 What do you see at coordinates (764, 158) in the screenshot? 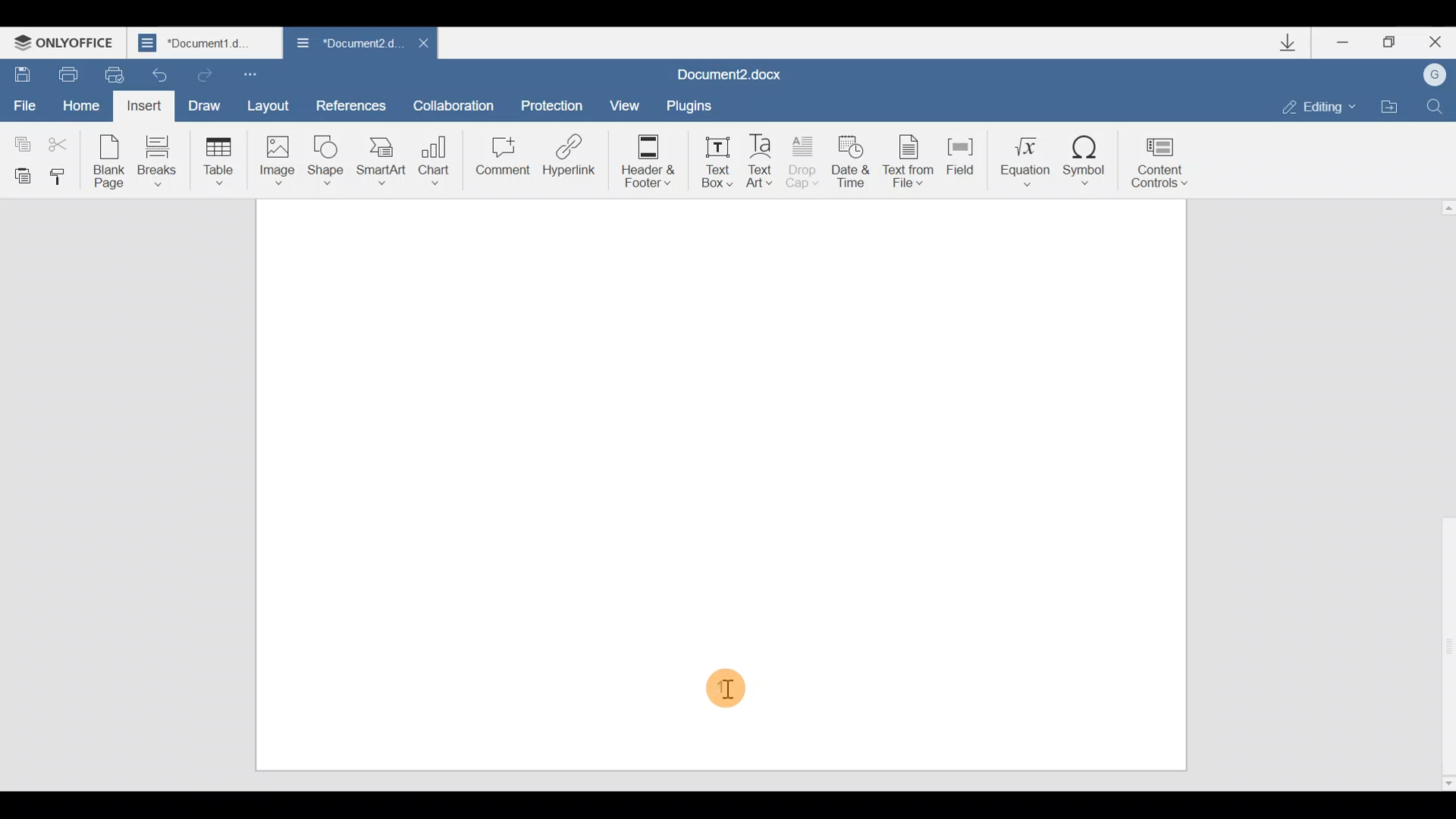
I see `Text Art` at bounding box center [764, 158].